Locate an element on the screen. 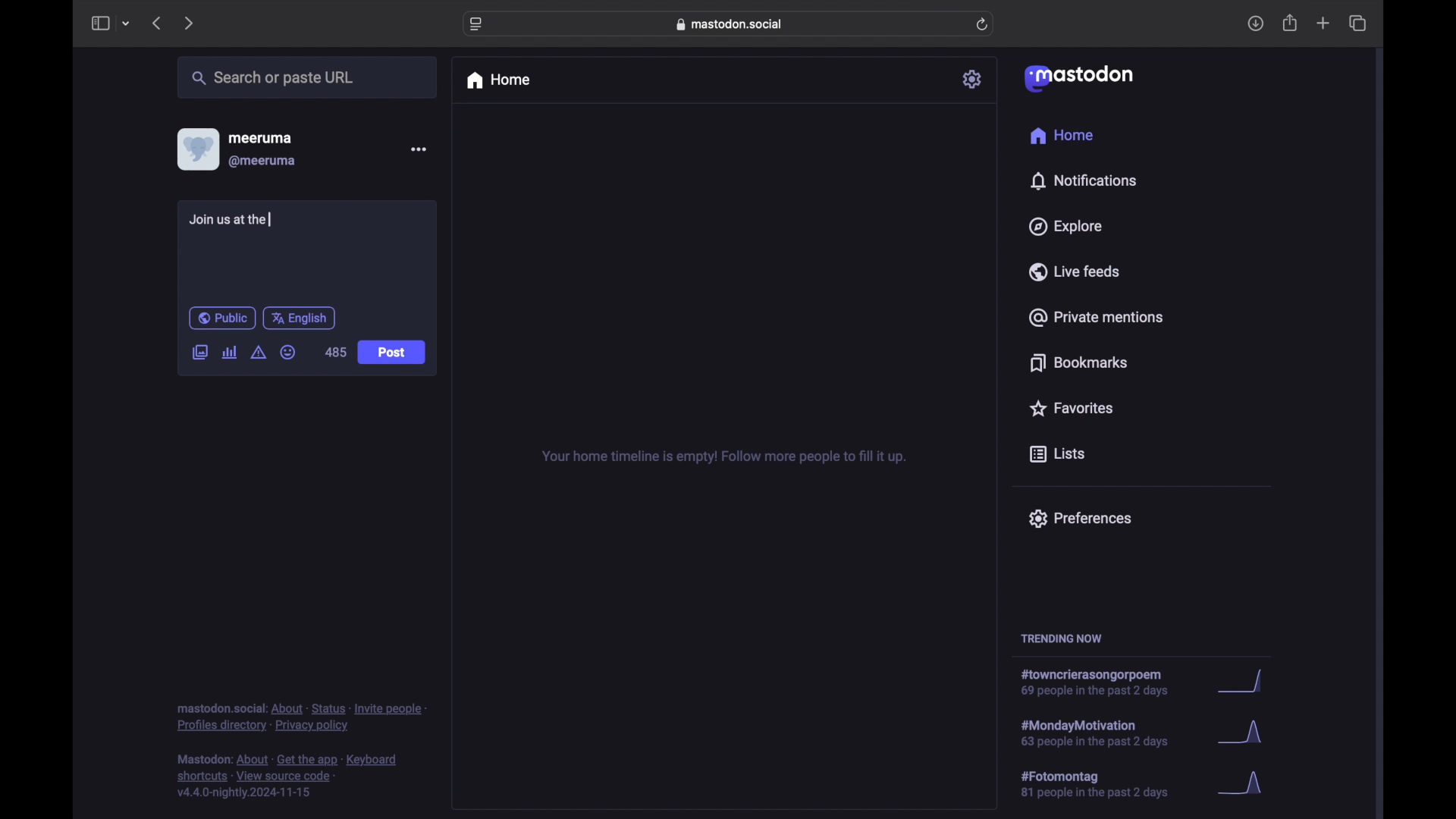  add image is located at coordinates (199, 353).